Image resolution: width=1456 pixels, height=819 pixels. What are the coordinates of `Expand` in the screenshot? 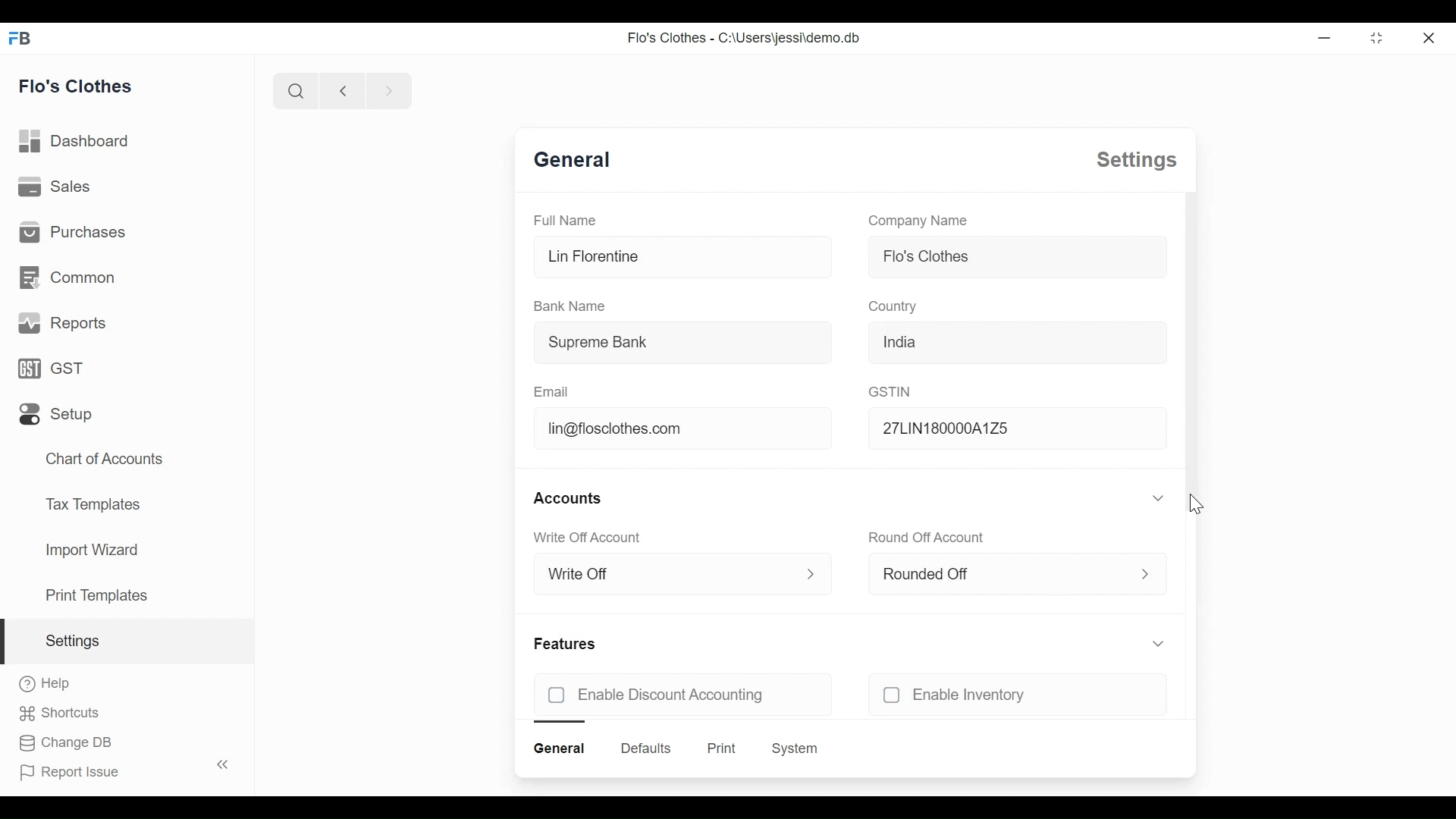 It's located at (1160, 498).